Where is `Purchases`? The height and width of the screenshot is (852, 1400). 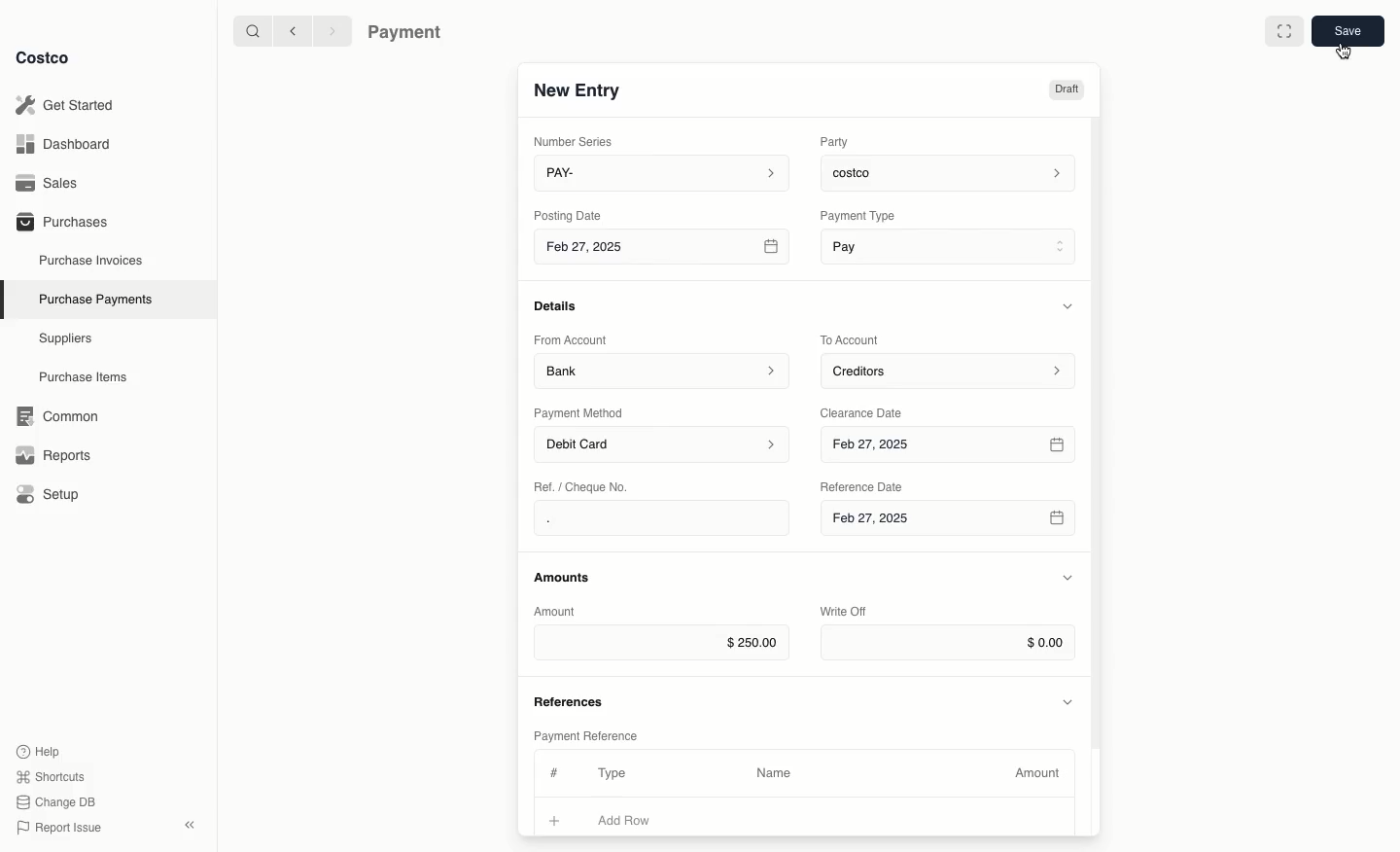
Purchases is located at coordinates (61, 221).